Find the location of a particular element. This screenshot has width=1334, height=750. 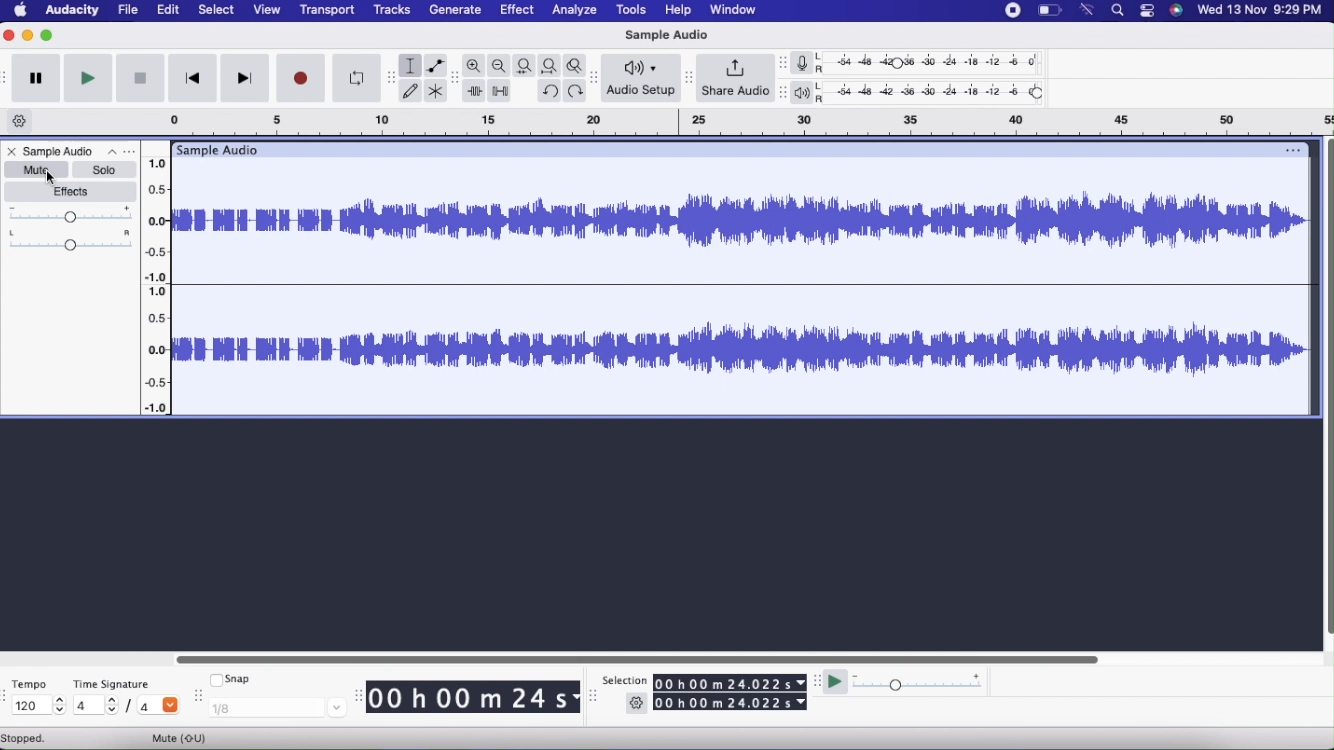

Adjust is located at coordinates (783, 63).